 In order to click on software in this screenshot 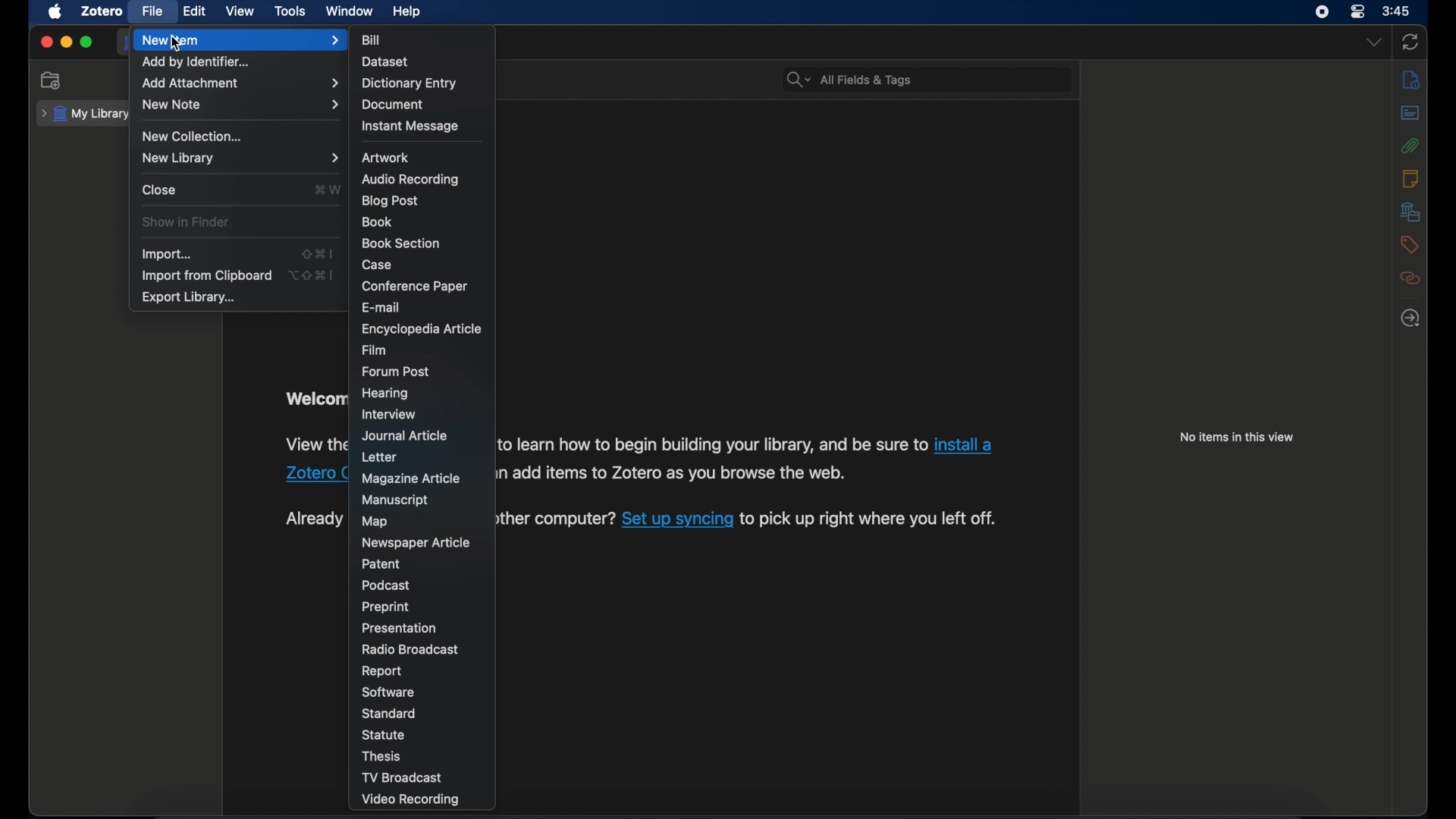, I will do `click(390, 693)`.